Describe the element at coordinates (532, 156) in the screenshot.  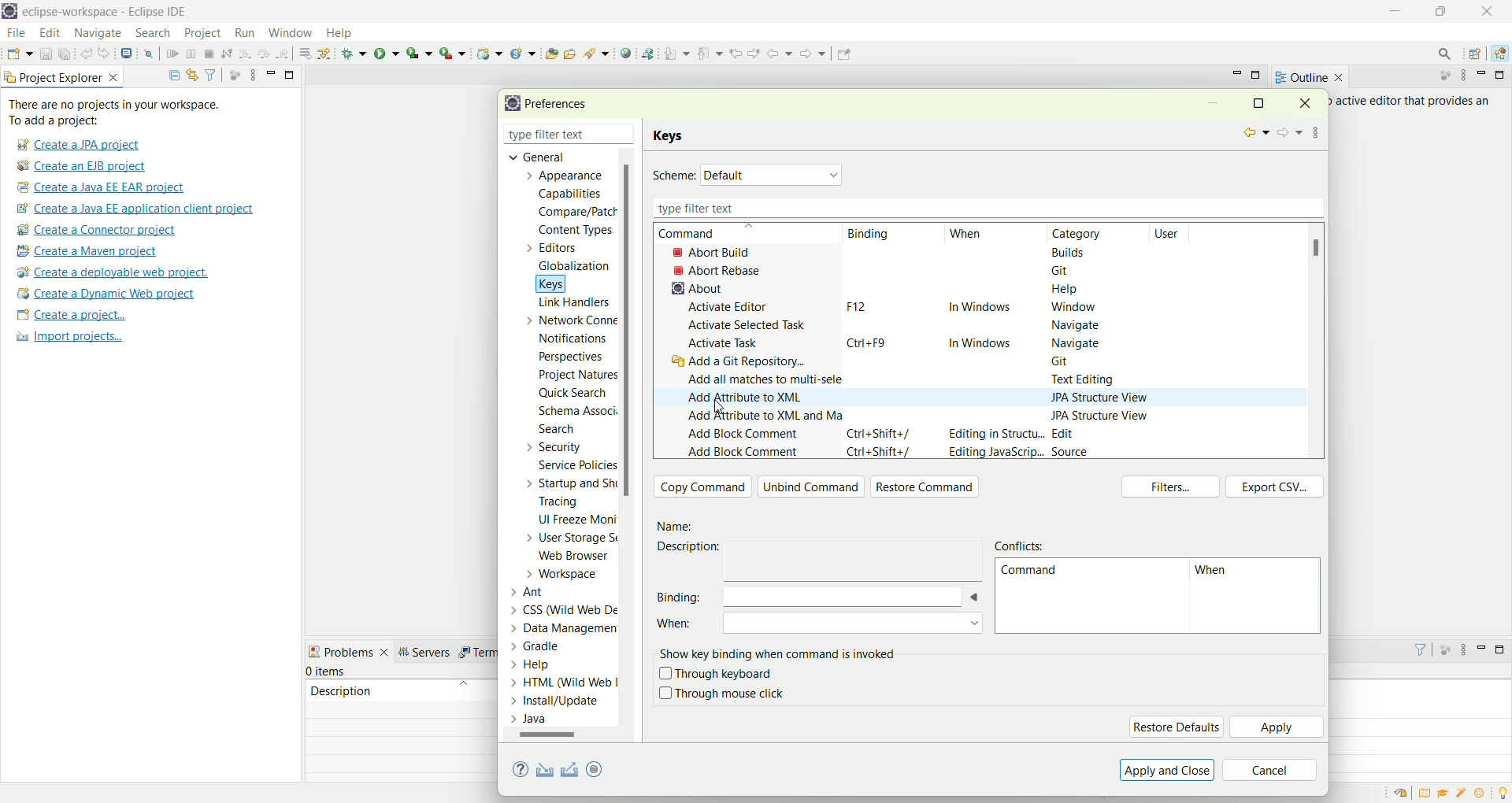
I see `general` at that location.